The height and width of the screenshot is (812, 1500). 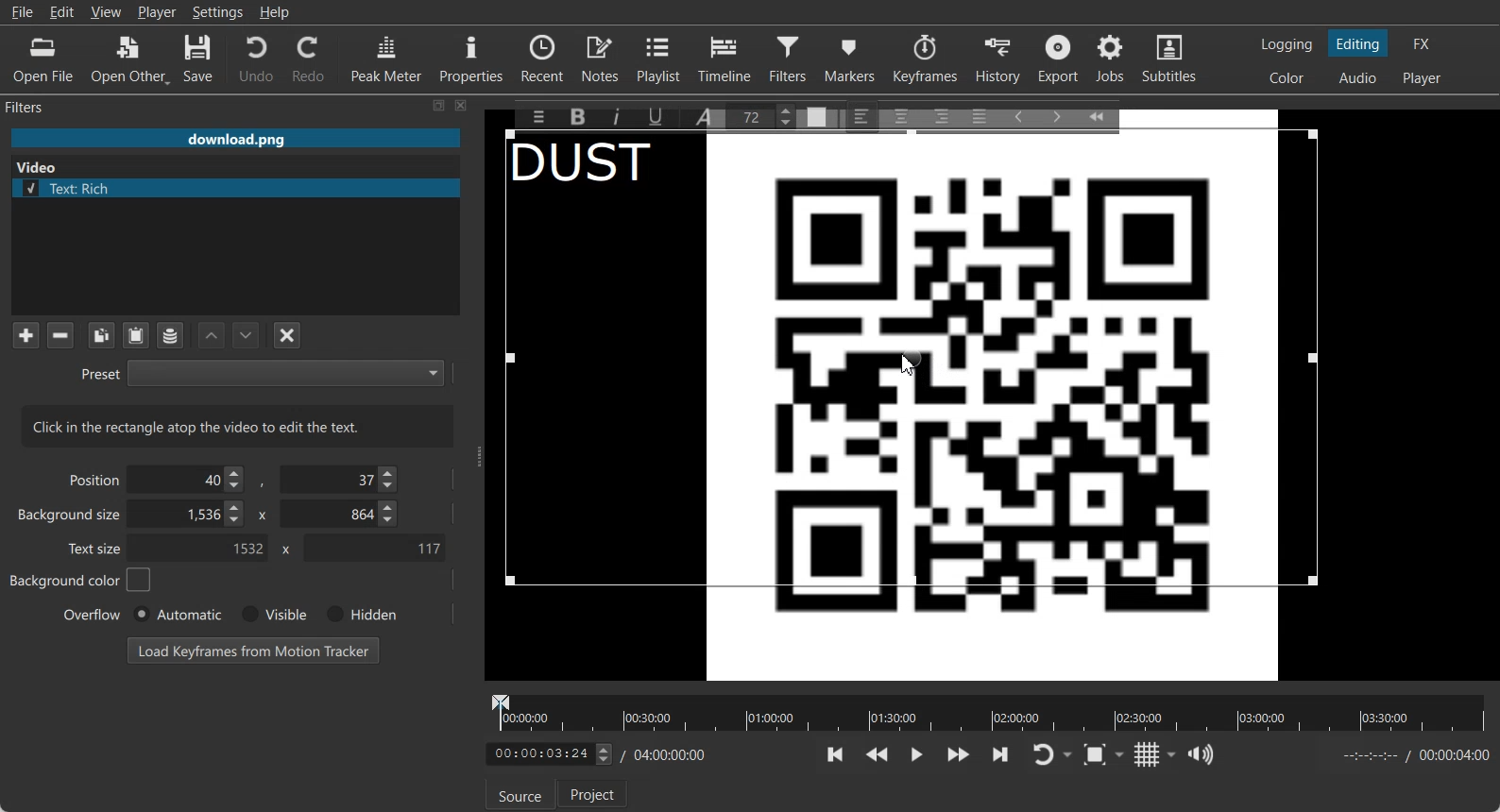 What do you see at coordinates (243, 188) in the screenshot?
I see `Text rich file` at bounding box center [243, 188].